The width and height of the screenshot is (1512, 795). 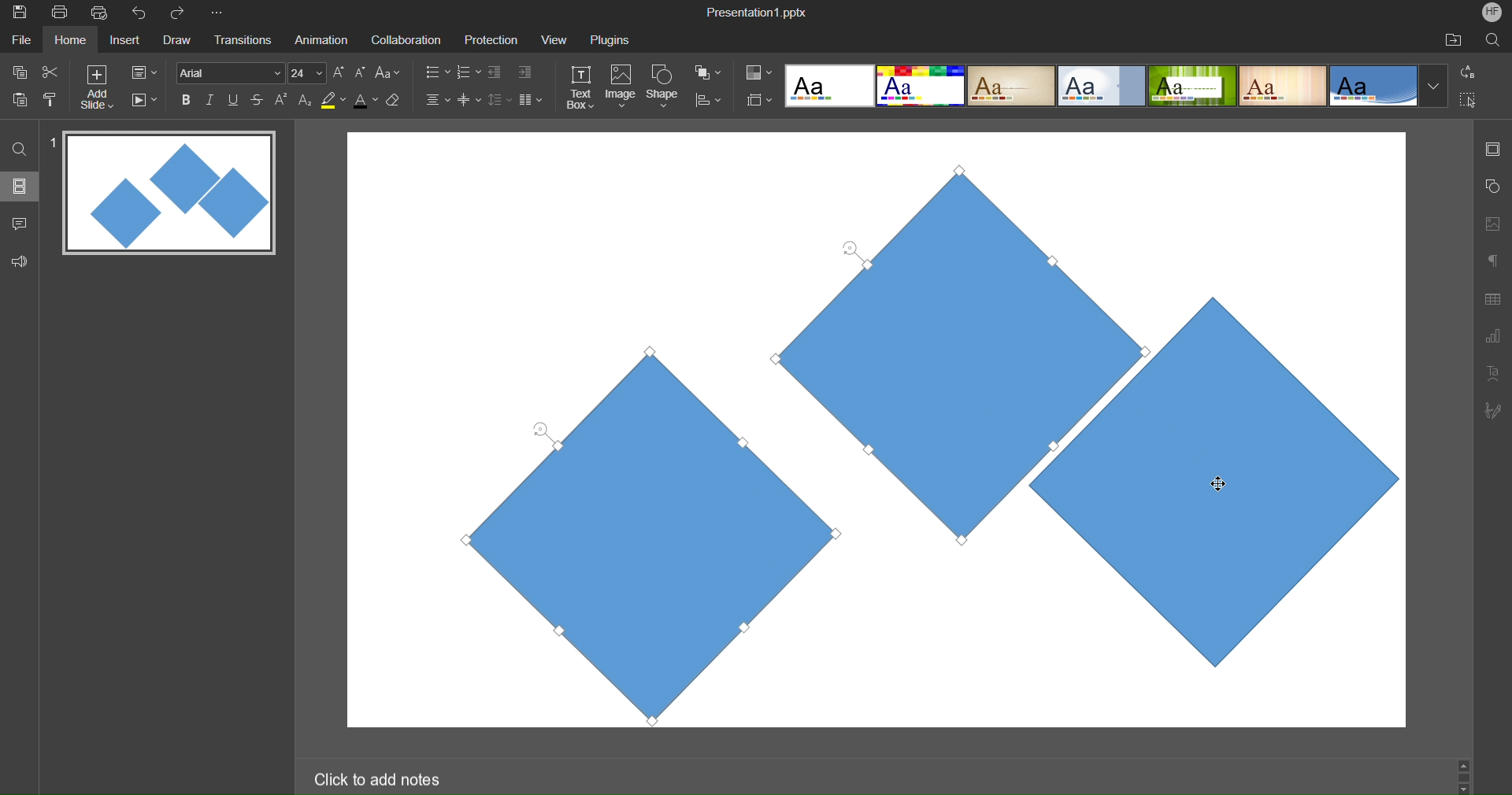 What do you see at coordinates (102, 13) in the screenshot?
I see `Quick Print` at bounding box center [102, 13].